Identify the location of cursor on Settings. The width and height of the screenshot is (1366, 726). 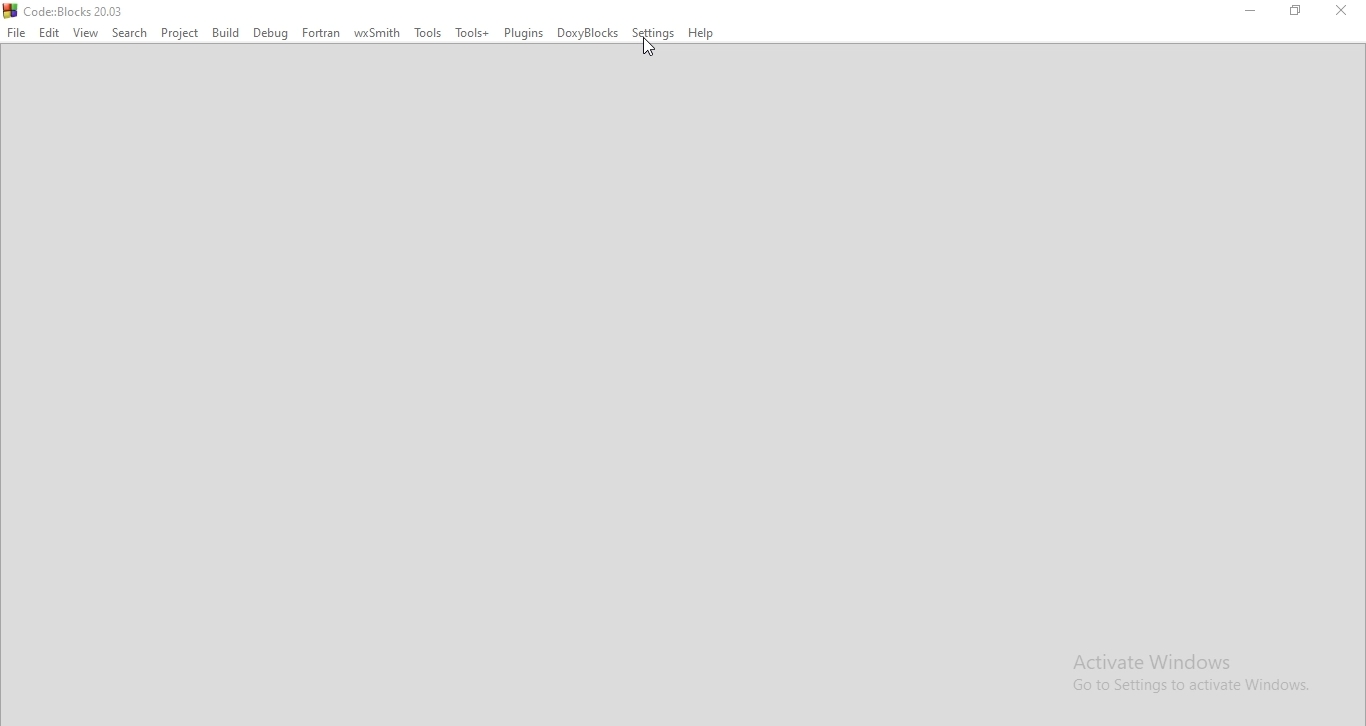
(648, 47).